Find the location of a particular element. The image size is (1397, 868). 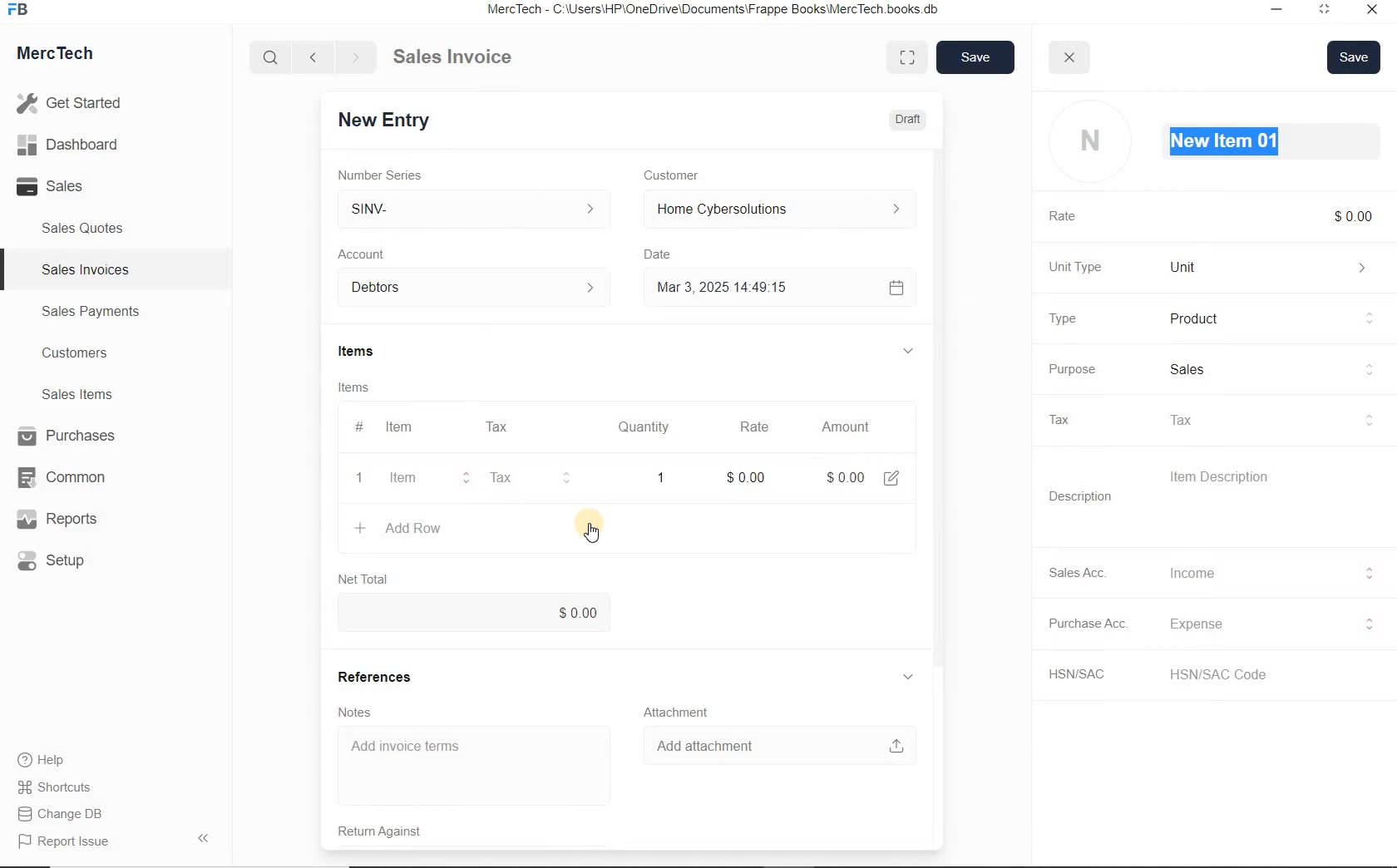

item line number is located at coordinates (361, 455).